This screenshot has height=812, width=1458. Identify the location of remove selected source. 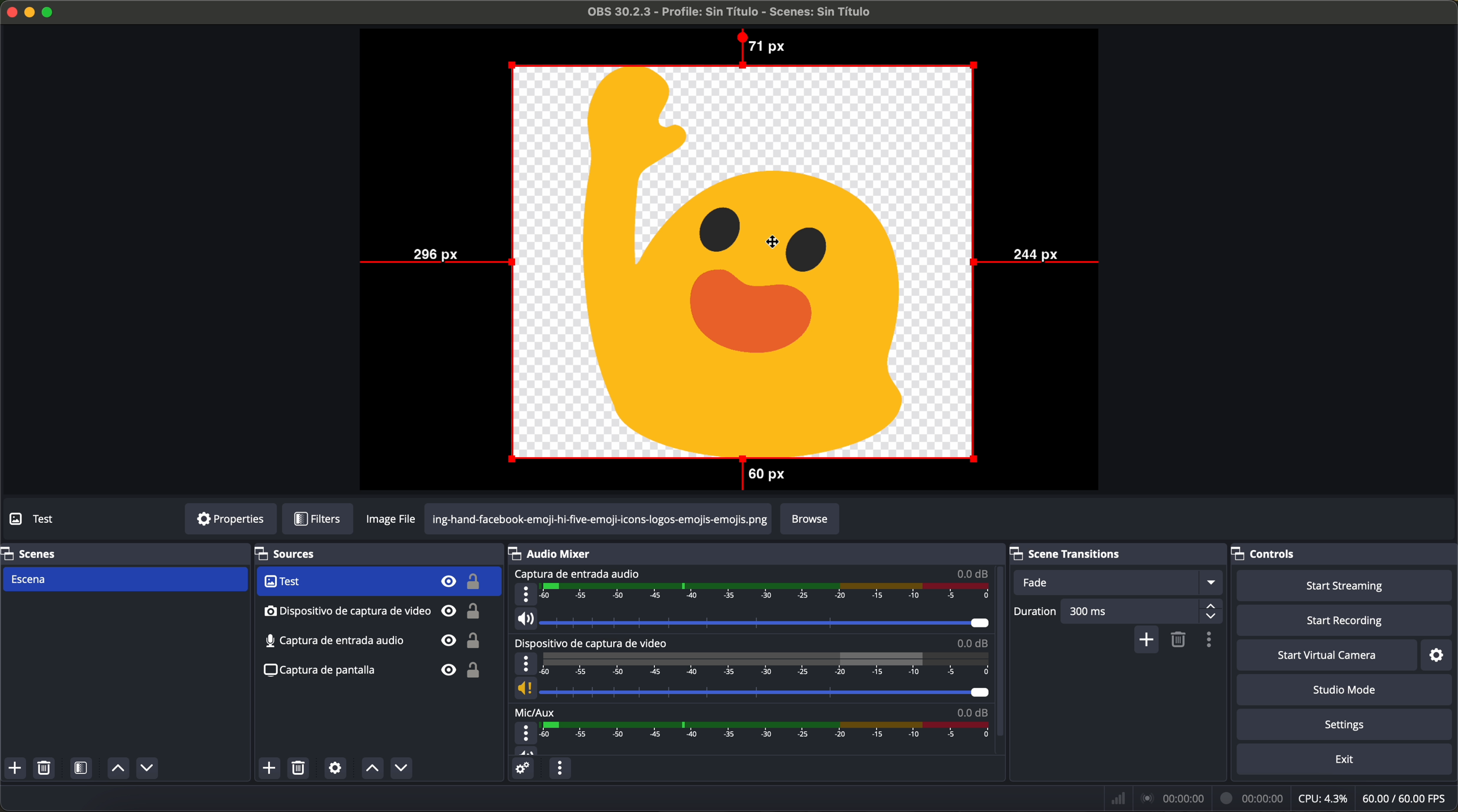
(301, 768).